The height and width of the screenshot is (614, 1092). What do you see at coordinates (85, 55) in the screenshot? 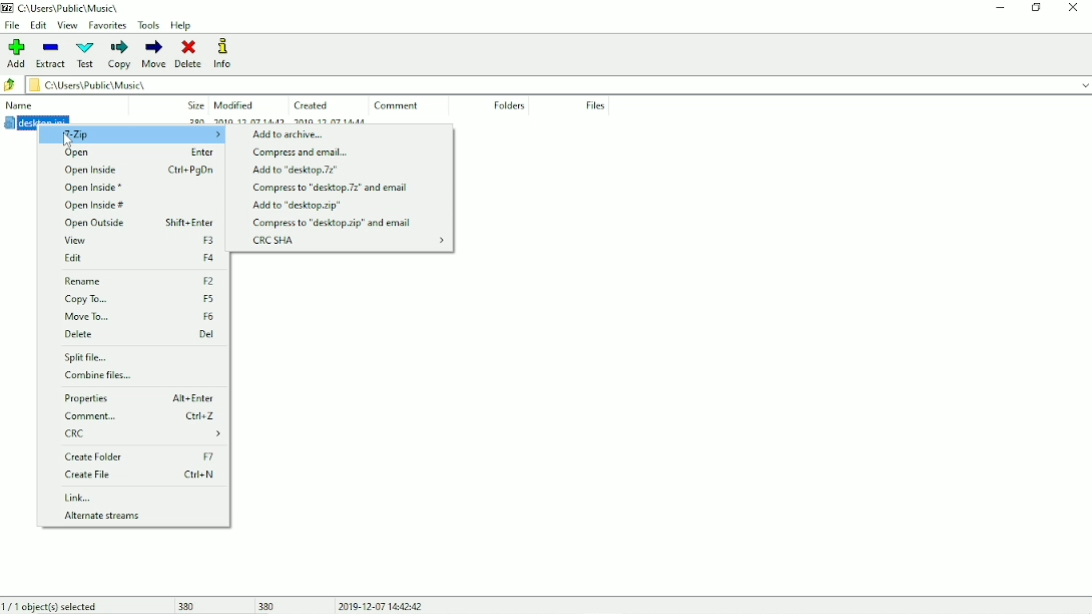
I see `Test` at bounding box center [85, 55].